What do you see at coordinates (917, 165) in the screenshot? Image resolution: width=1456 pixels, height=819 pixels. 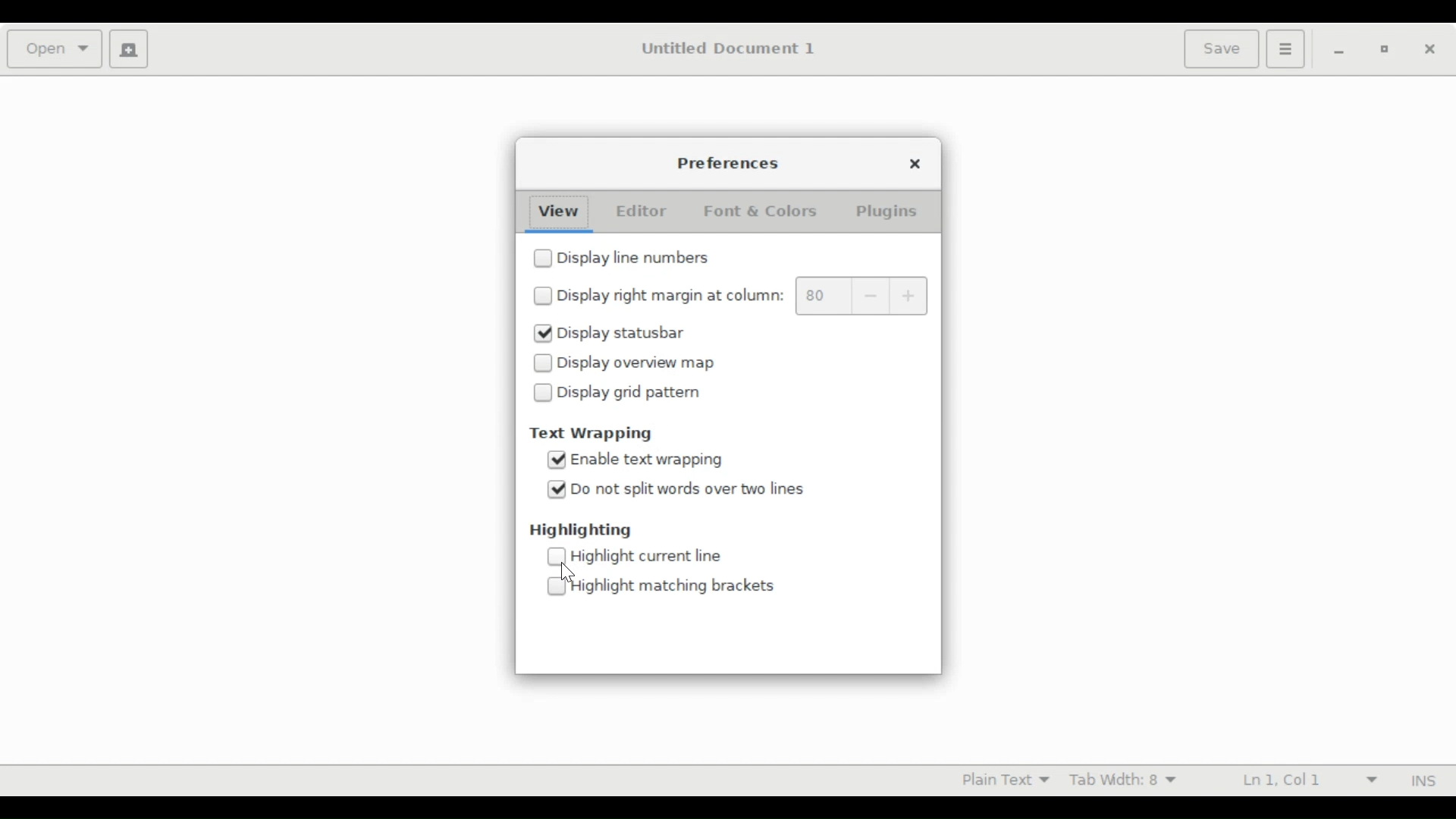 I see `Close` at bounding box center [917, 165].